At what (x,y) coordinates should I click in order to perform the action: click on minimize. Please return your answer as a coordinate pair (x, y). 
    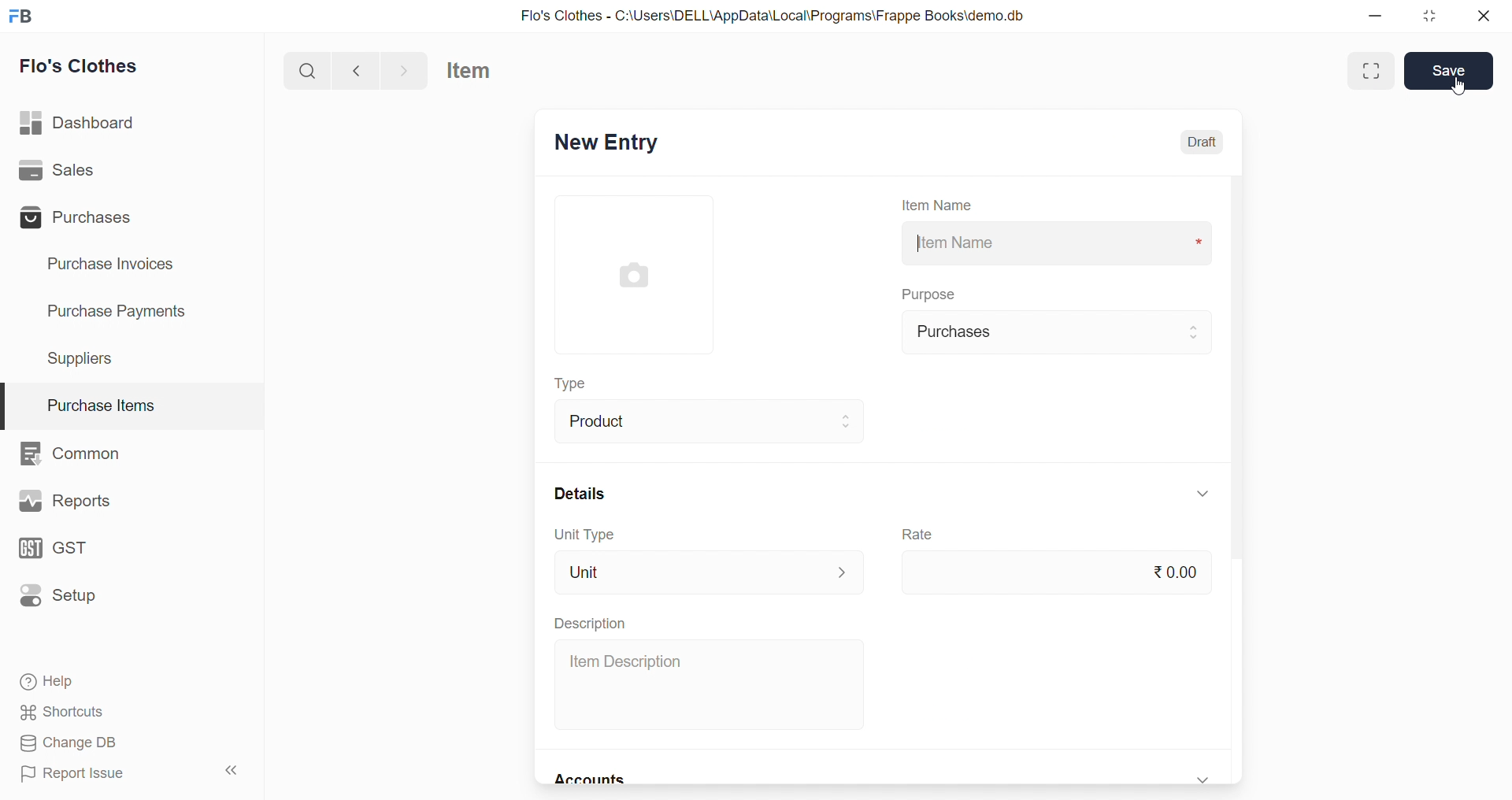
    Looking at the image, I should click on (1381, 16).